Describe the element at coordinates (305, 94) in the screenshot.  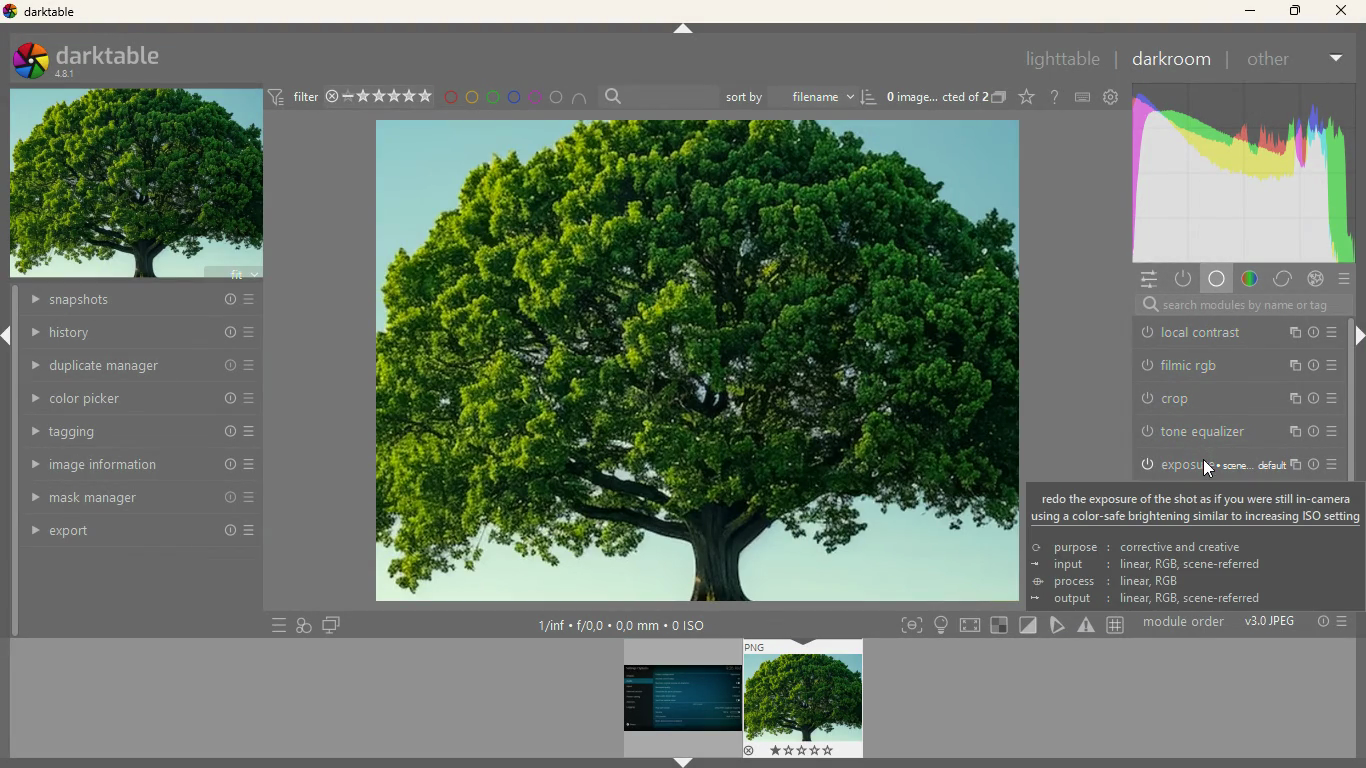
I see `filter` at that location.